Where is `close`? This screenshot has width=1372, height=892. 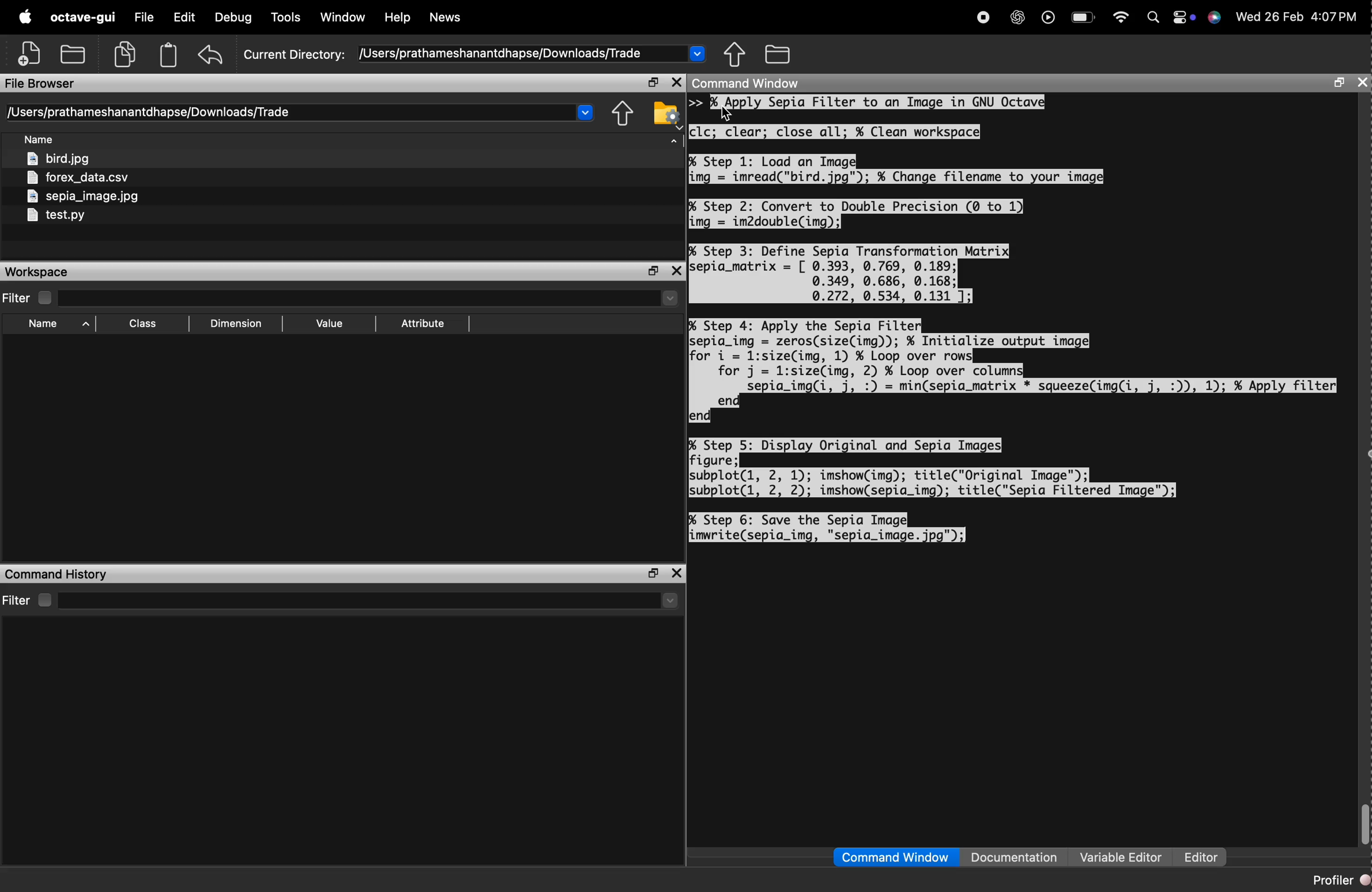
close is located at coordinates (678, 273).